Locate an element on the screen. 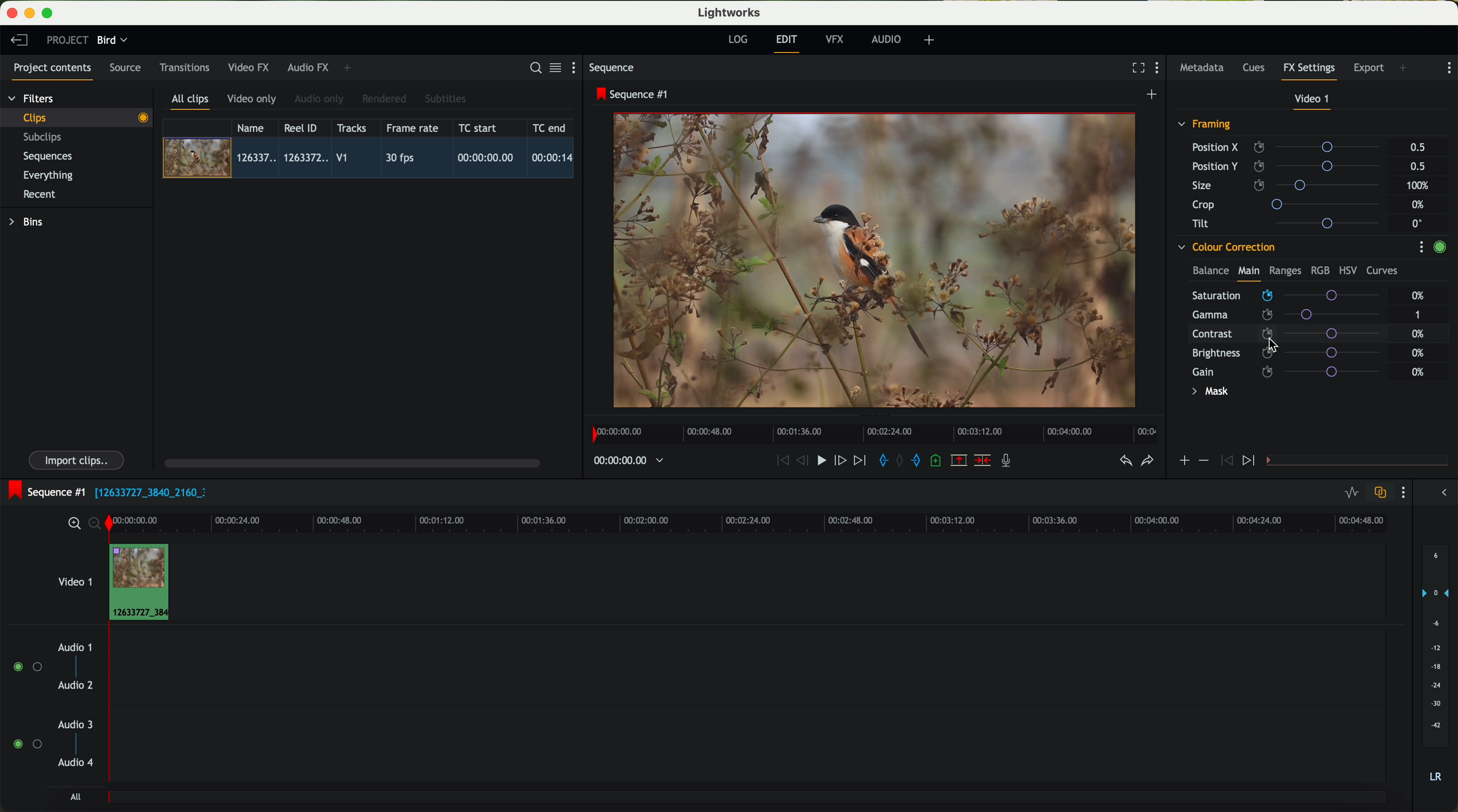 The height and width of the screenshot is (812, 1458). tilt is located at coordinates (1291, 223).